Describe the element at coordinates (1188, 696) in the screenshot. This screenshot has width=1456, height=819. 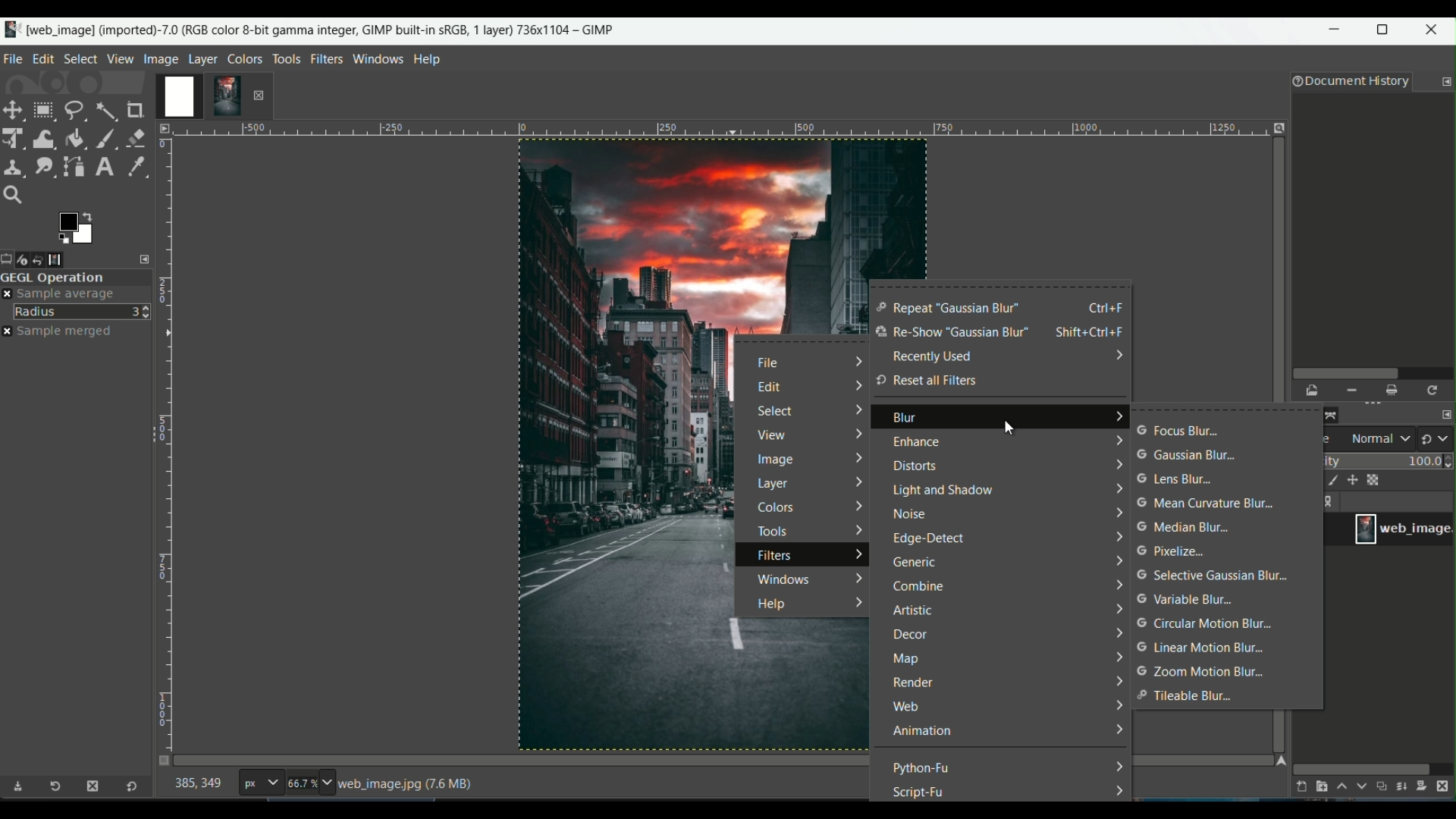
I see `tileable blur` at that location.